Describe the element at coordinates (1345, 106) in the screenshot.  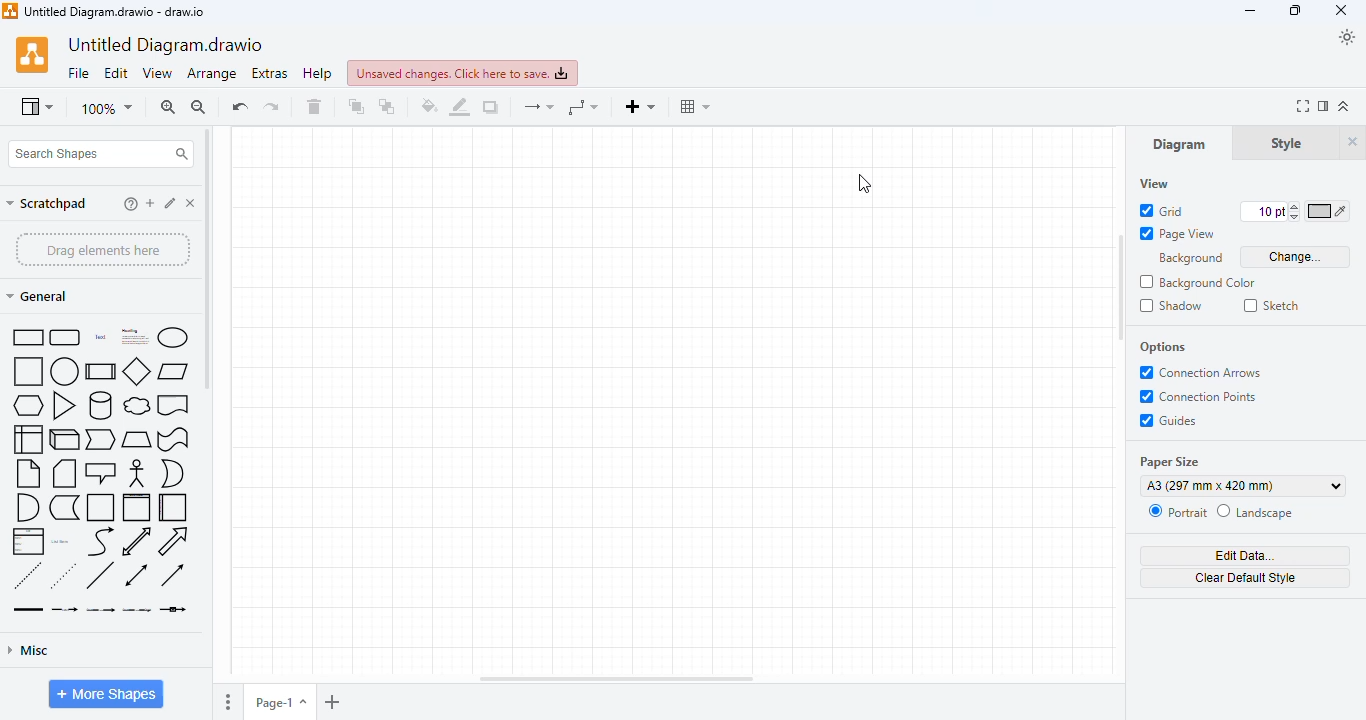
I see `collapse/expand` at that location.